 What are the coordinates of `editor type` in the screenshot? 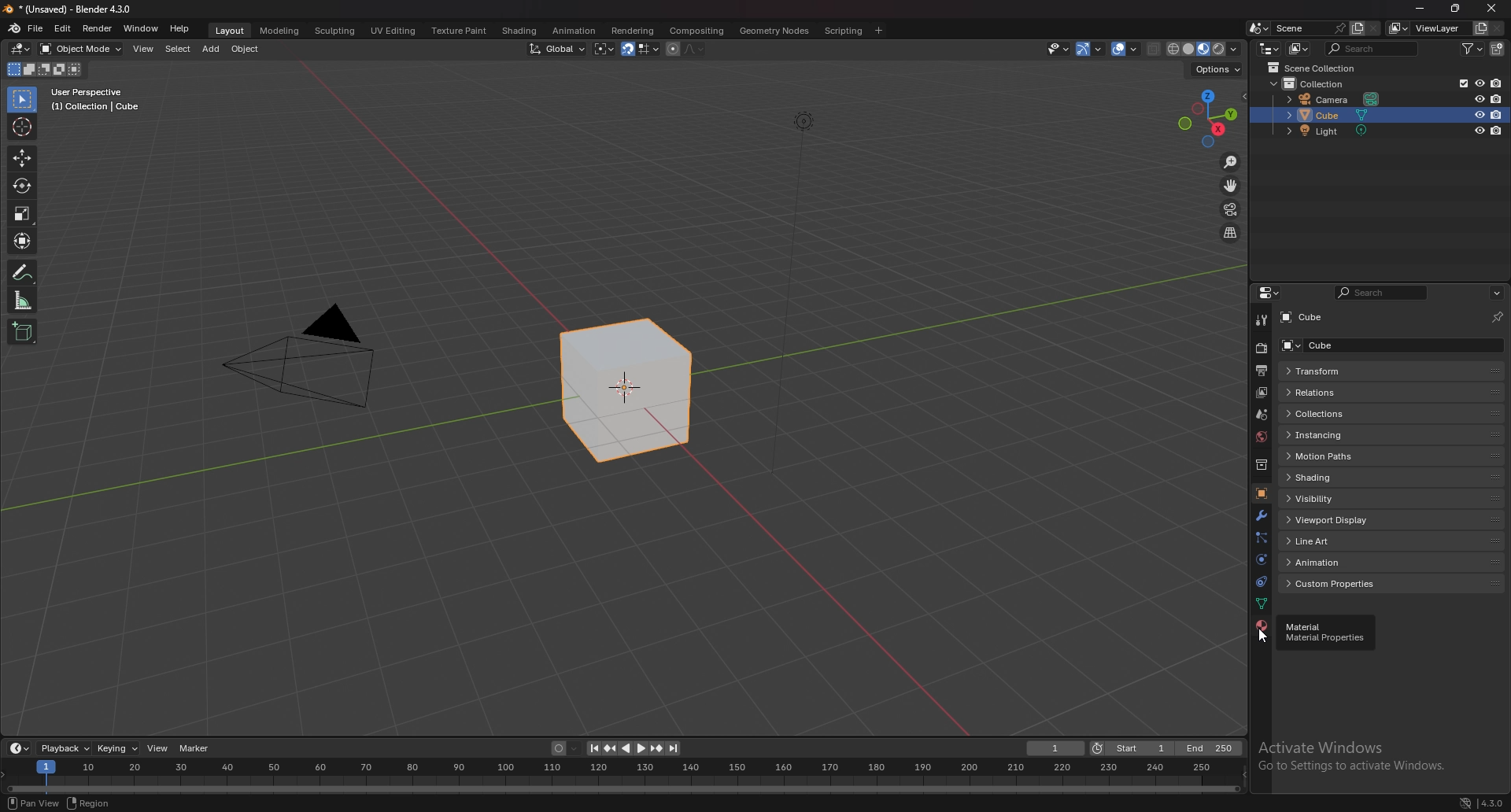 It's located at (1269, 293).